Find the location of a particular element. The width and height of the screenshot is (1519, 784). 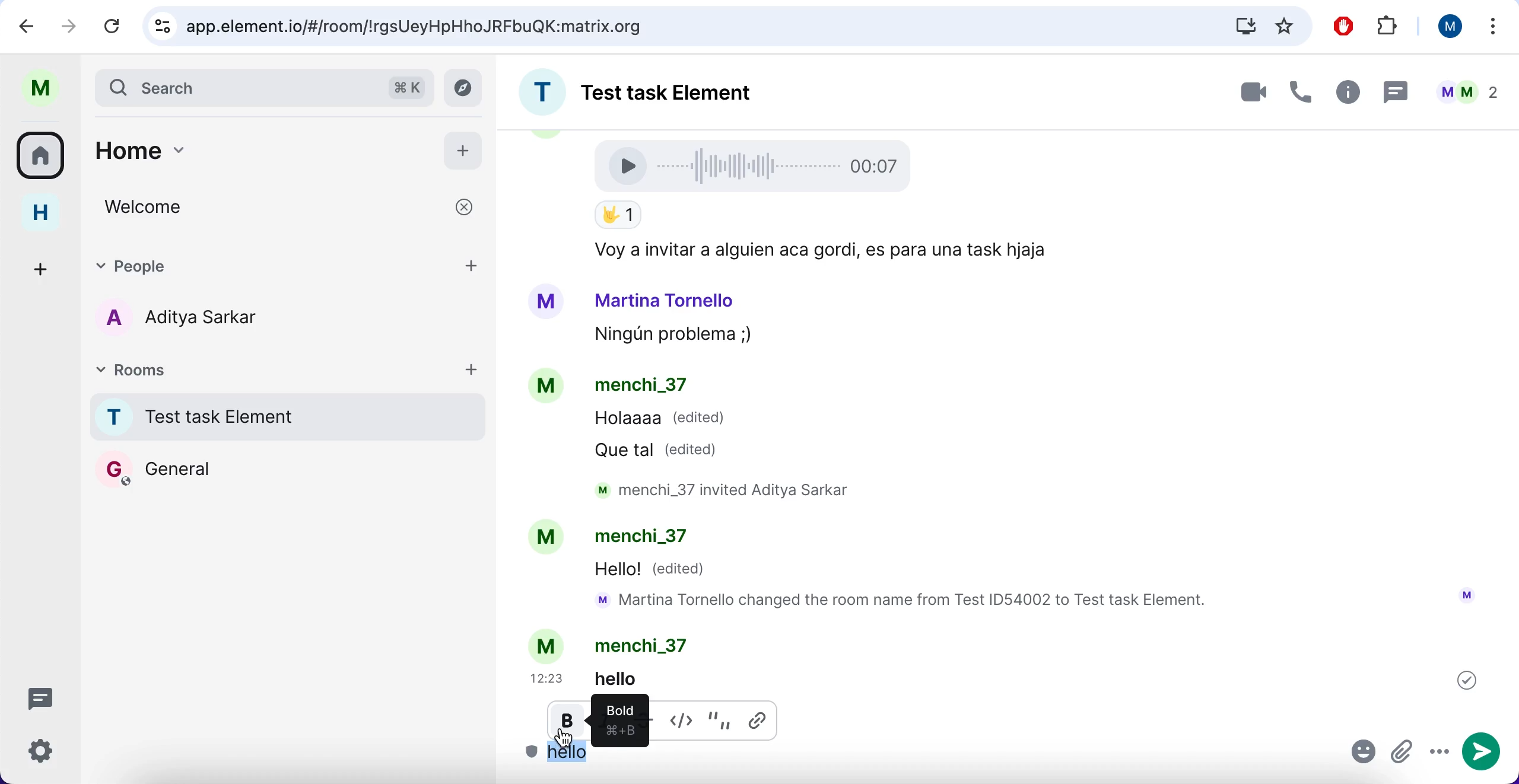

Voy a invitar a alguien aca gordi, es para una task hjaja is located at coordinates (816, 251).